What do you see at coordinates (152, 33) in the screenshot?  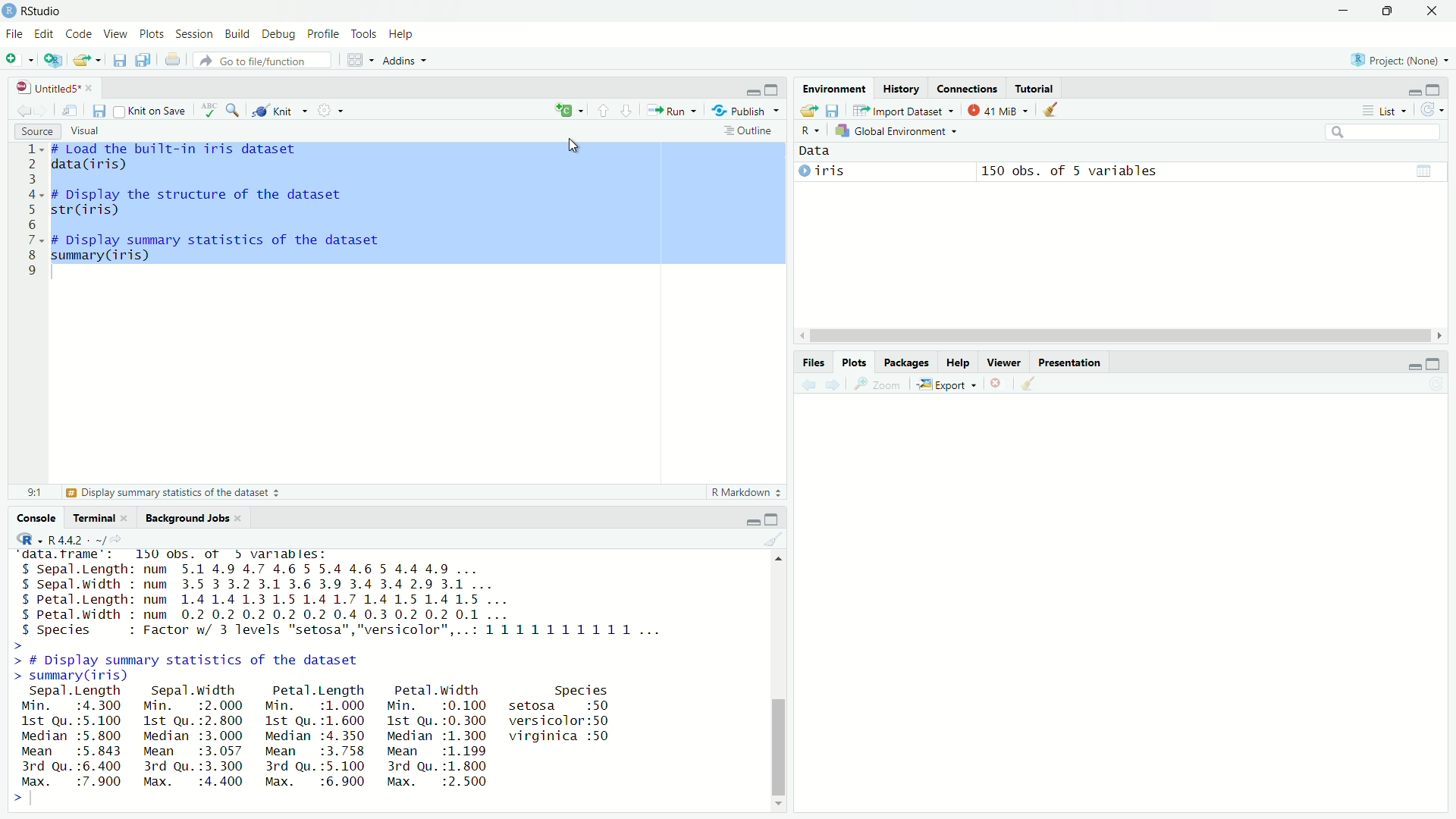 I see `Plots` at bounding box center [152, 33].